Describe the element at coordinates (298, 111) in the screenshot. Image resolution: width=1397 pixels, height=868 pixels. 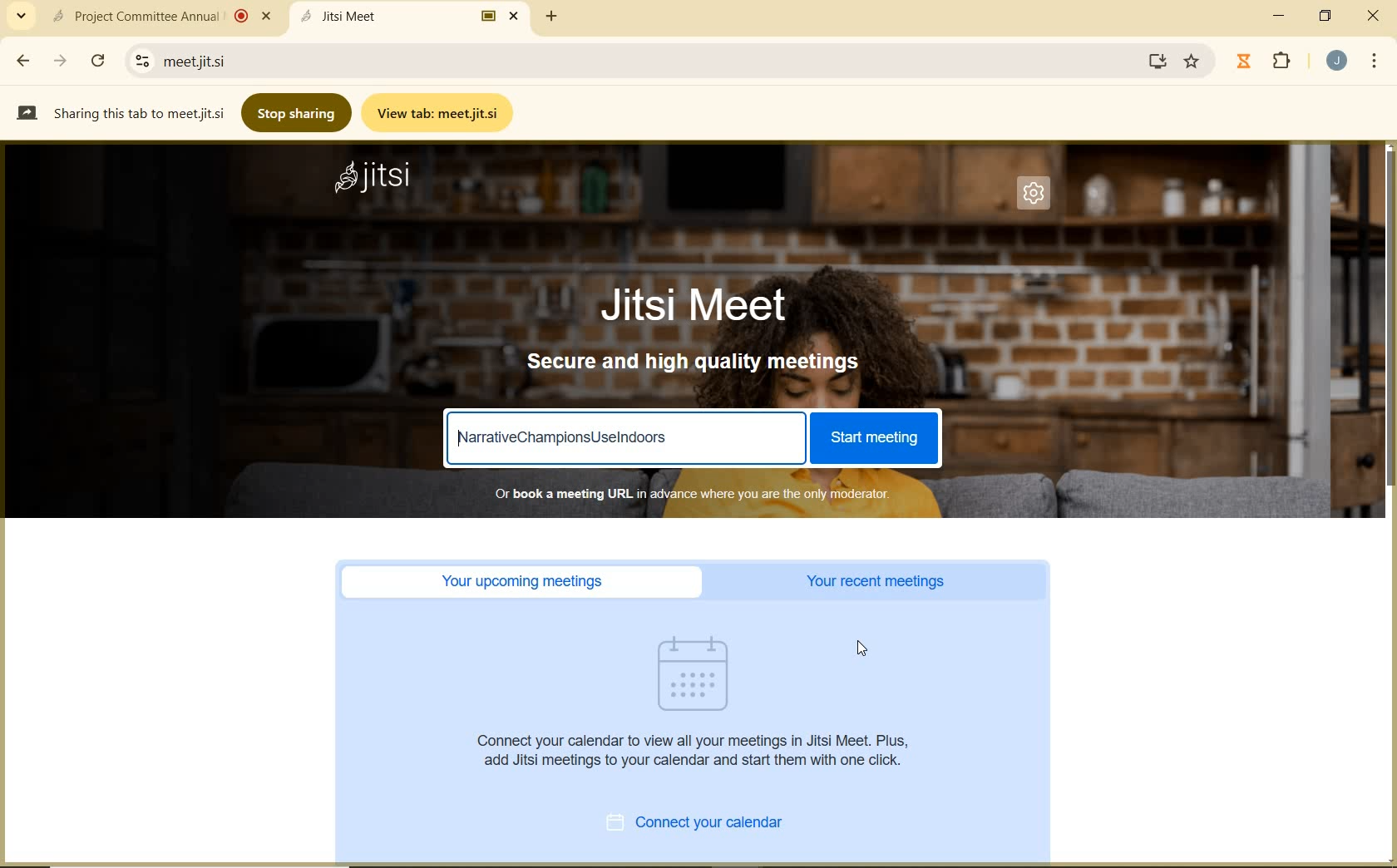
I see `STOP SHARING` at that location.